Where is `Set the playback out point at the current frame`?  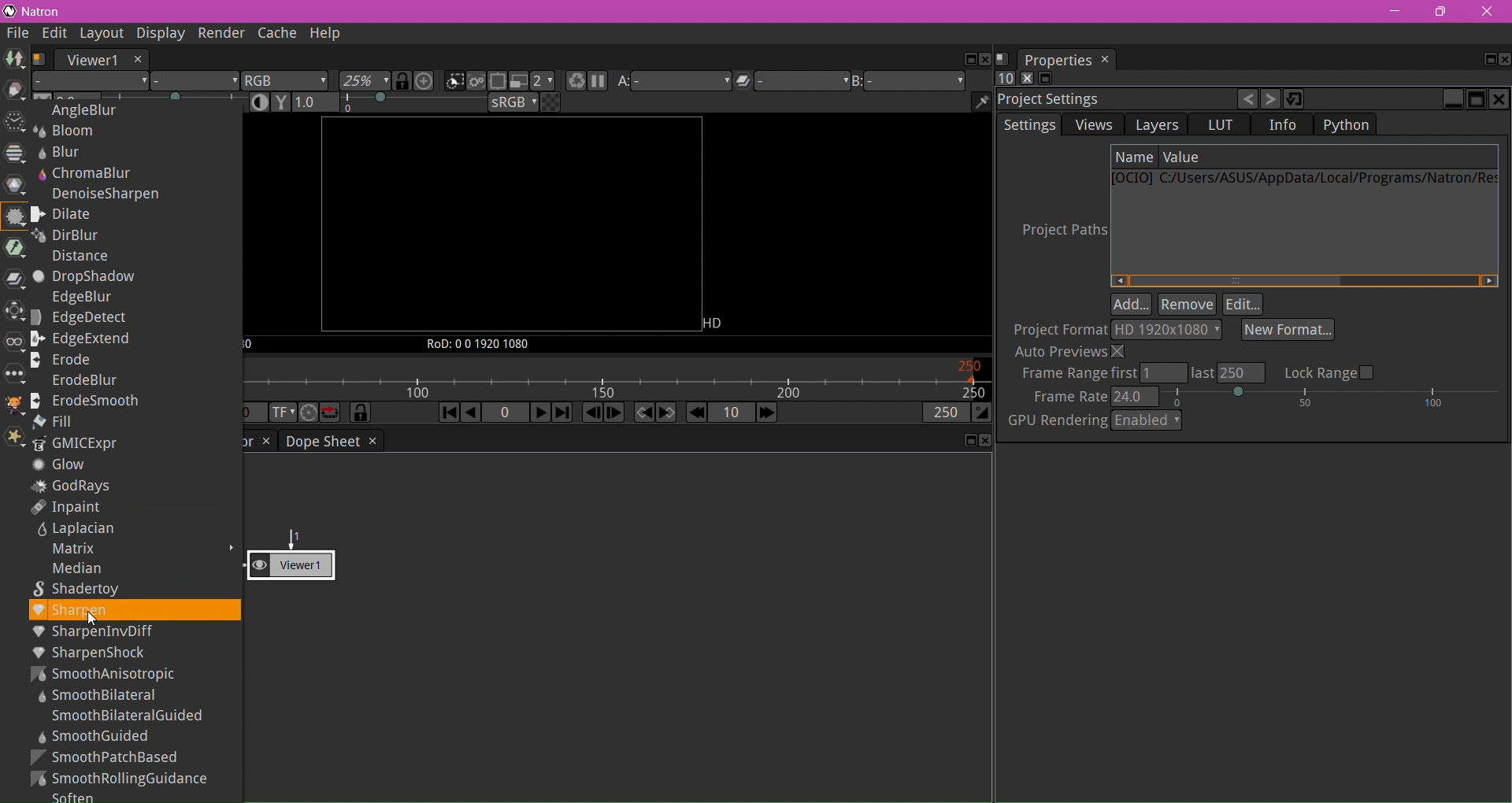
Set the playback out point at the current frame is located at coordinates (982, 414).